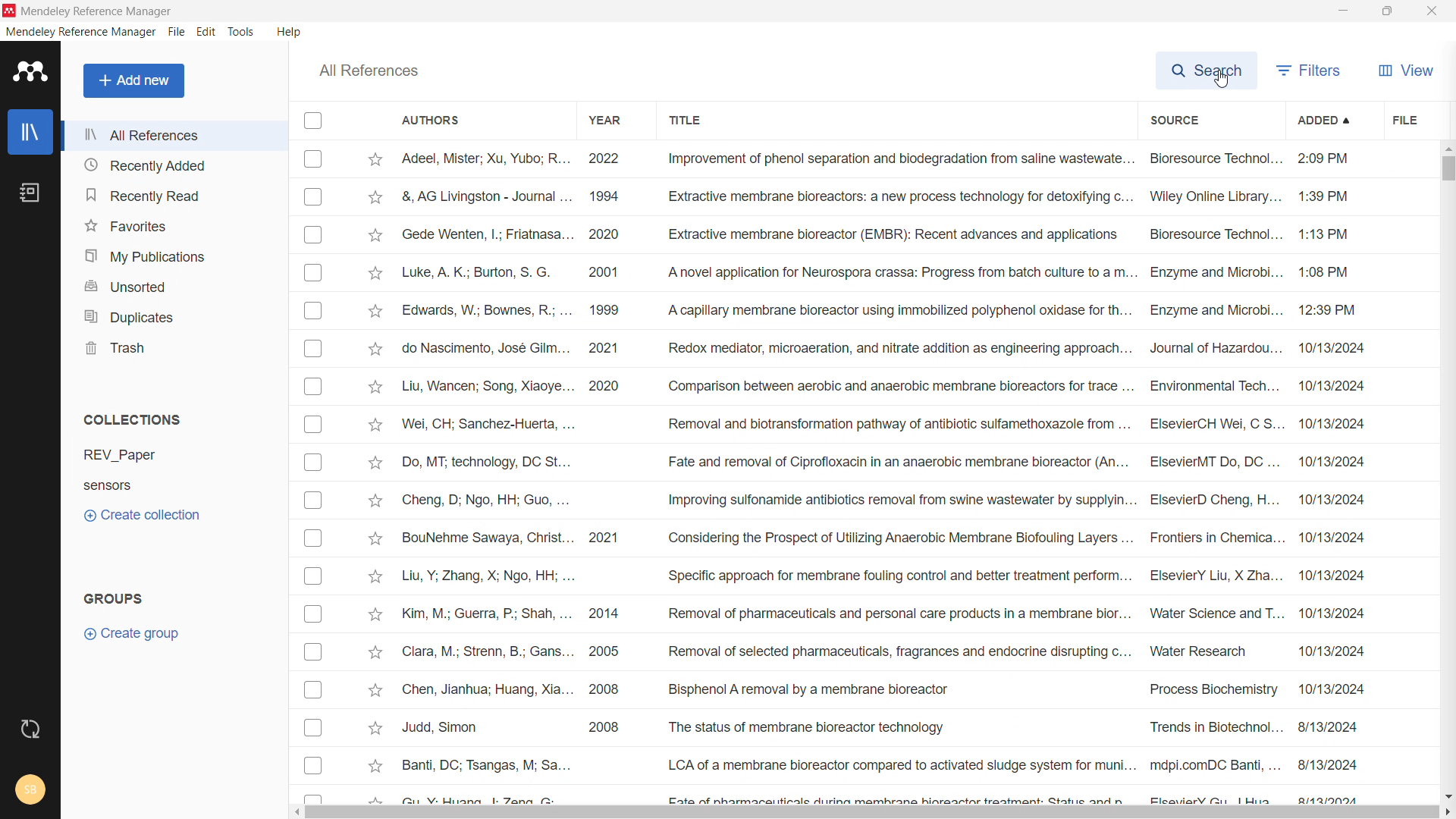  What do you see at coordinates (373, 232) in the screenshot?
I see `Add to favorites` at bounding box center [373, 232].